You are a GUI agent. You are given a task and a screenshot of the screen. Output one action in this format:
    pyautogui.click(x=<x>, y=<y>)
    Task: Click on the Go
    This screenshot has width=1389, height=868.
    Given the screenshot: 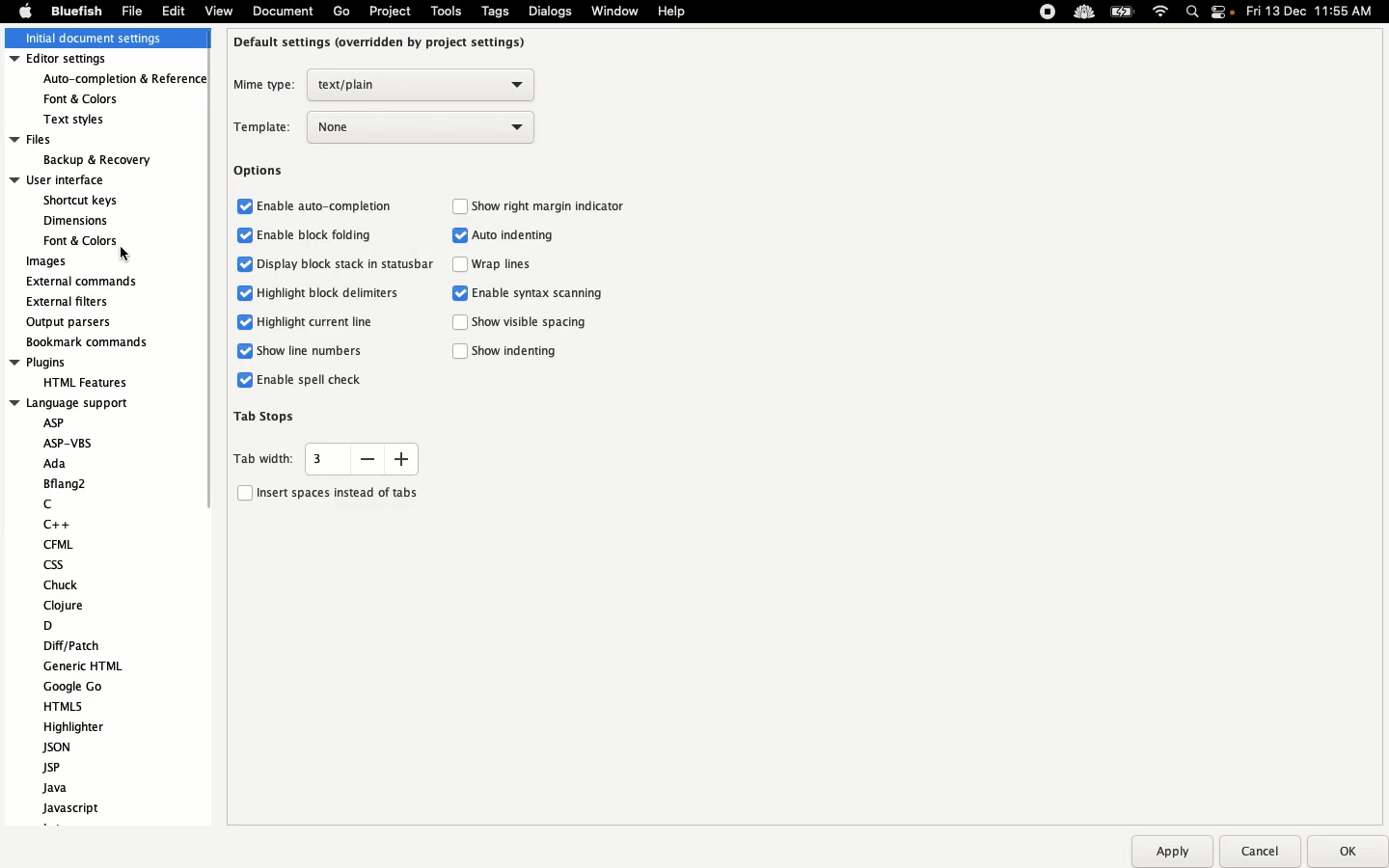 What is the action you would take?
    pyautogui.click(x=341, y=12)
    